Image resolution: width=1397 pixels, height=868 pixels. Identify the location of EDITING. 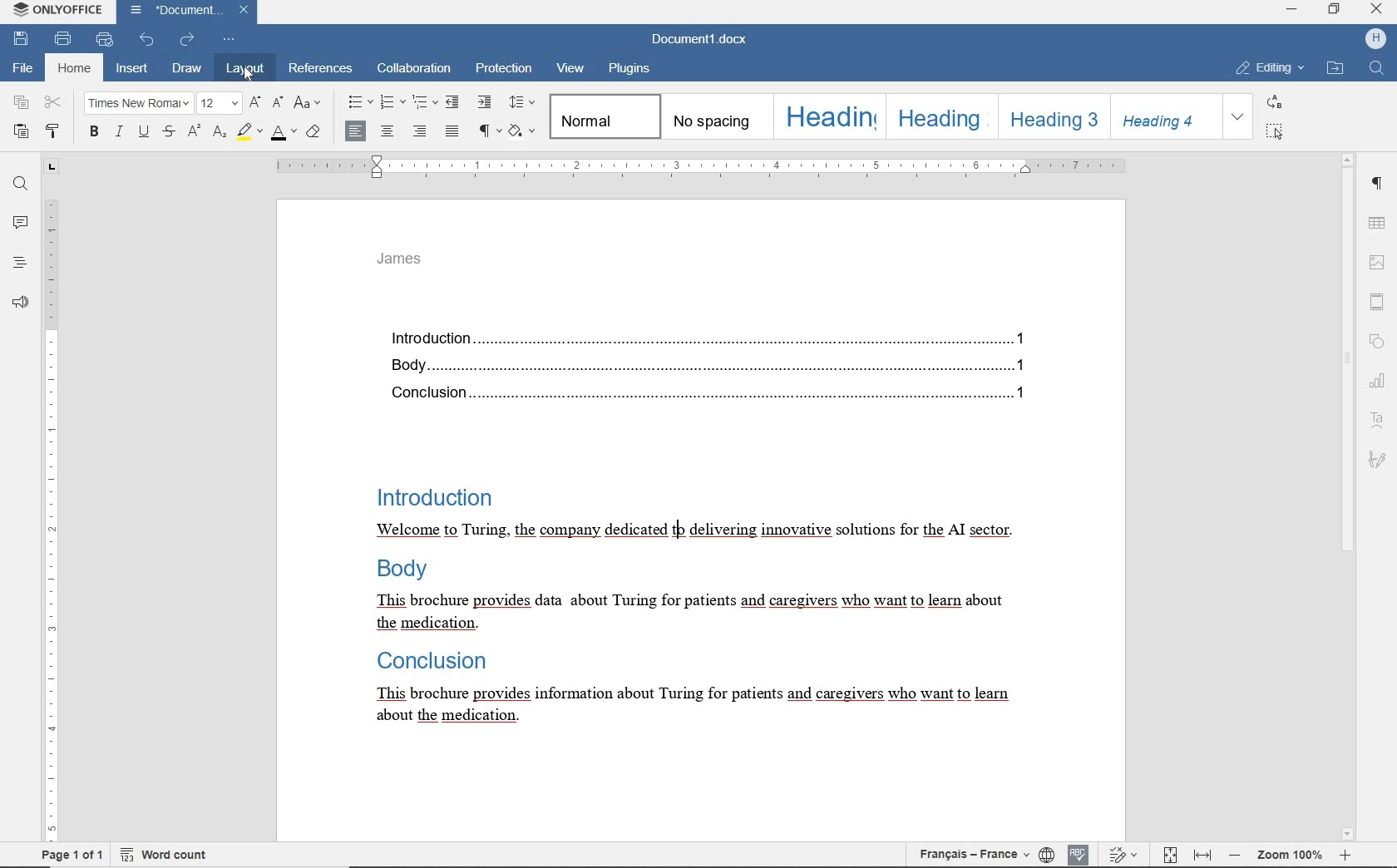
(1271, 68).